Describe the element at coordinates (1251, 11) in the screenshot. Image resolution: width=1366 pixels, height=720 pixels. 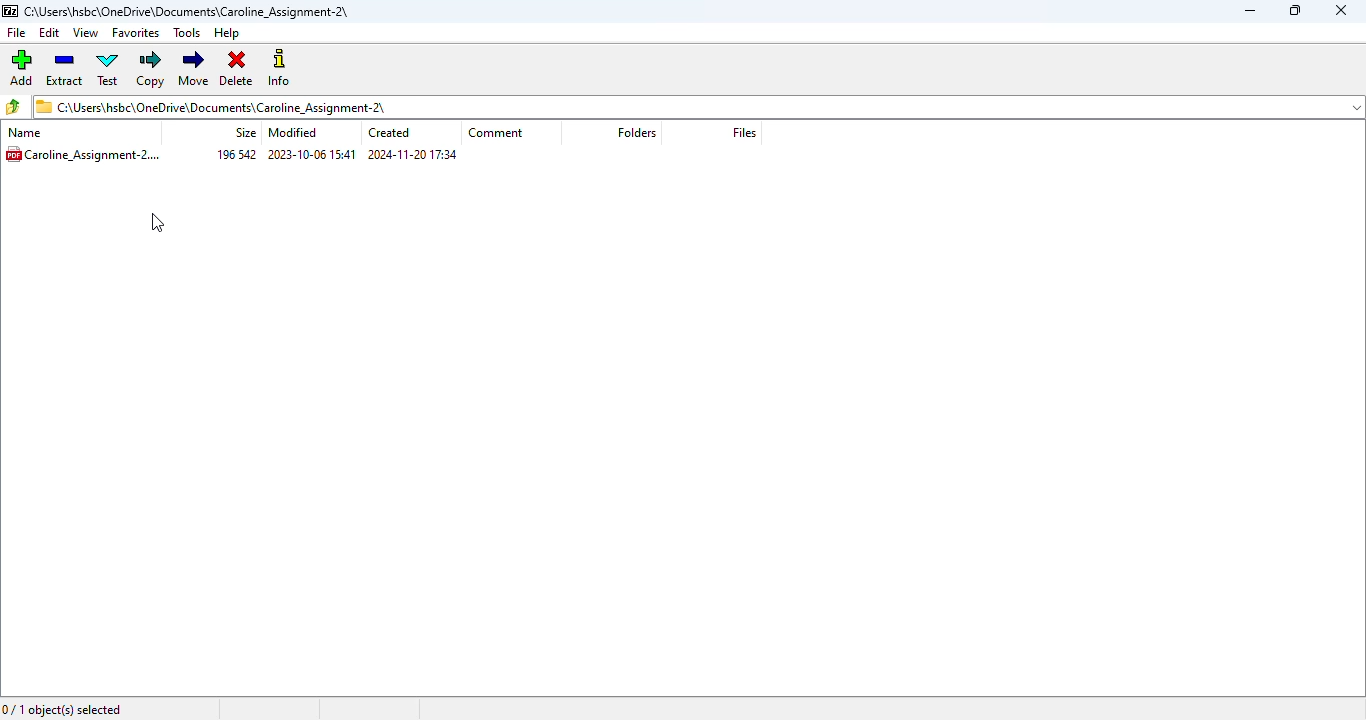
I see `minimize` at that location.